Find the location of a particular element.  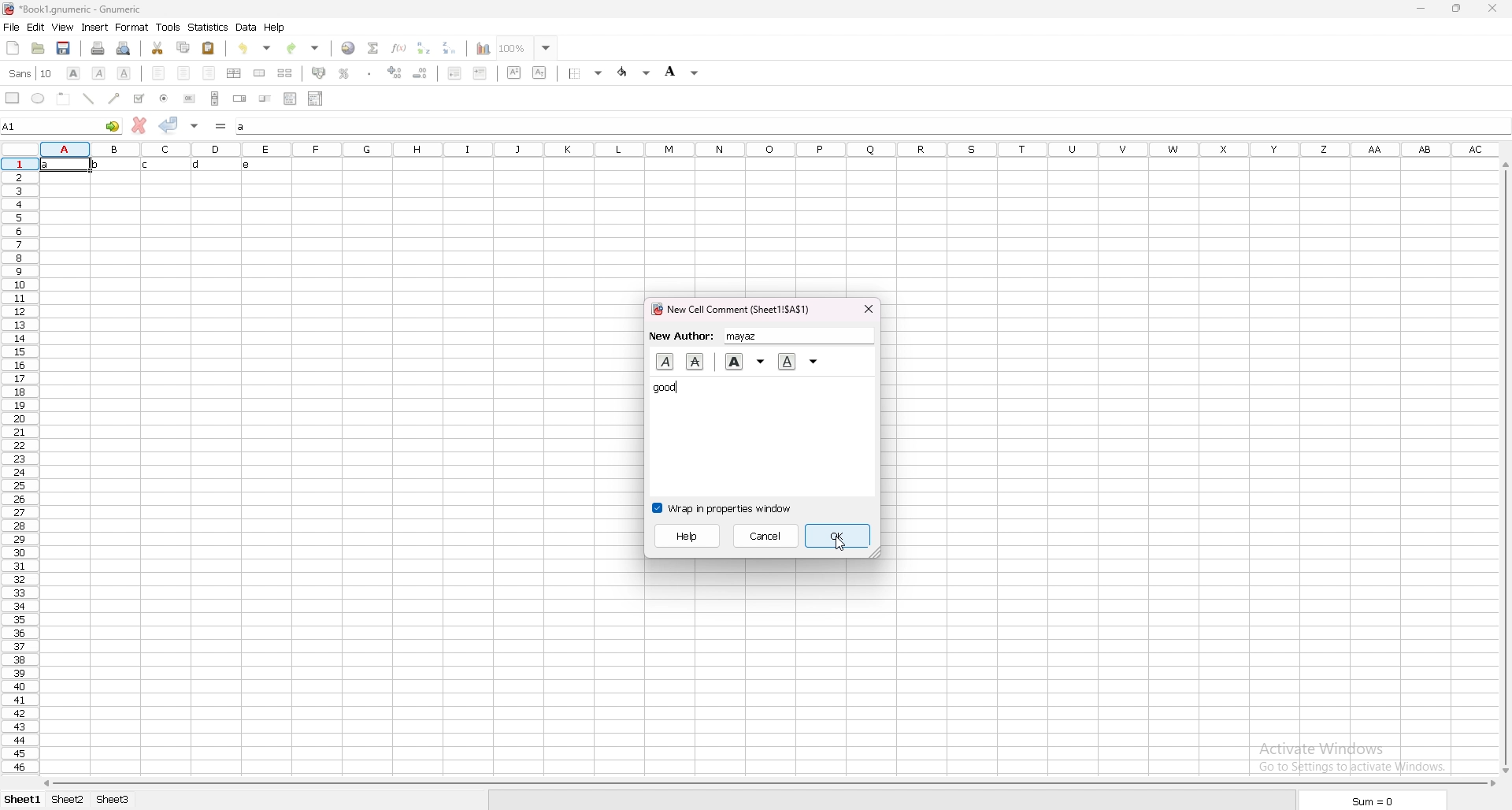

minimize is located at coordinates (1421, 9).